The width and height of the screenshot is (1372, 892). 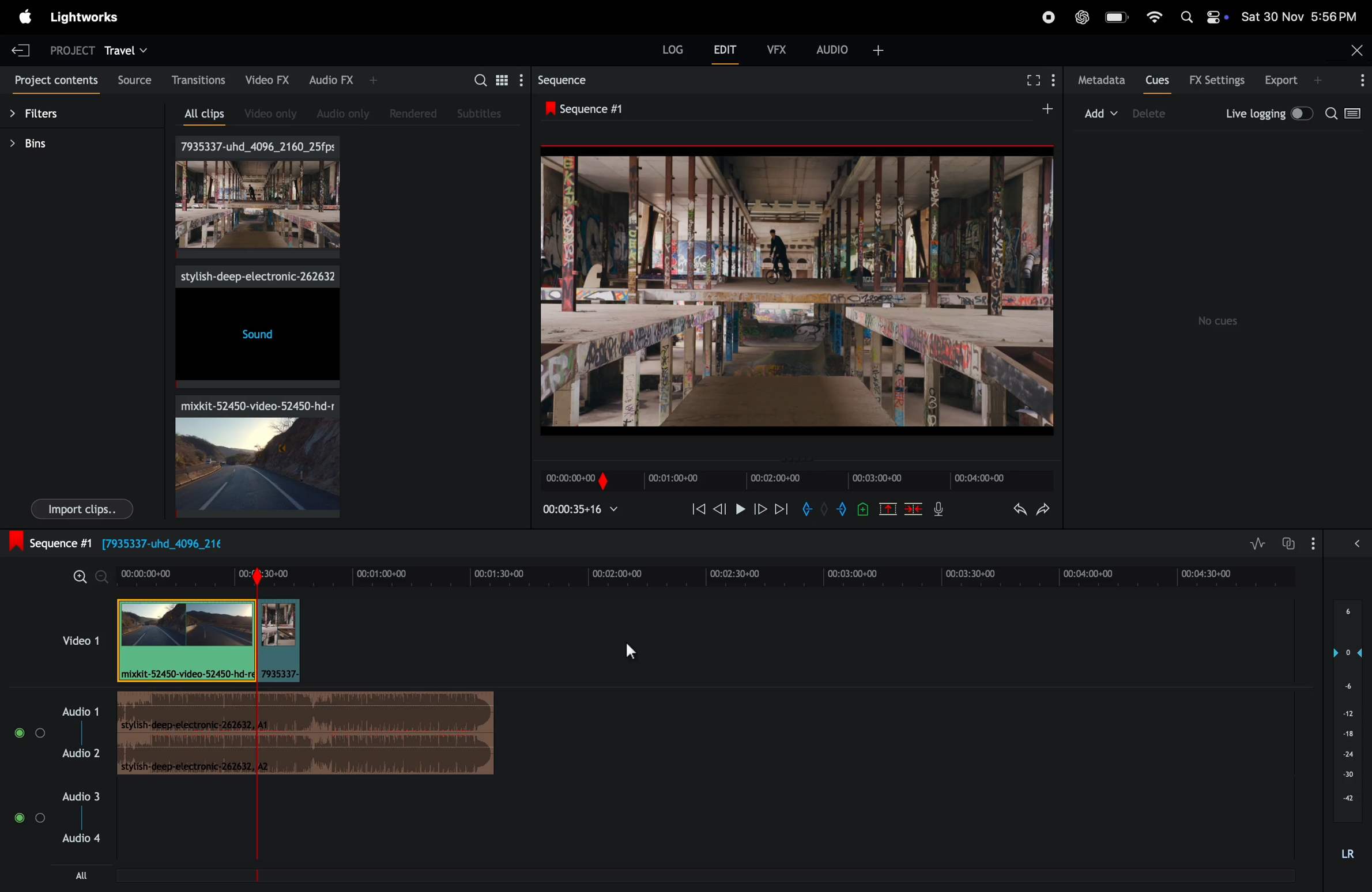 What do you see at coordinates (269, 80) in the screenshot?
I see `video fx` at bounding box center [269, 80].